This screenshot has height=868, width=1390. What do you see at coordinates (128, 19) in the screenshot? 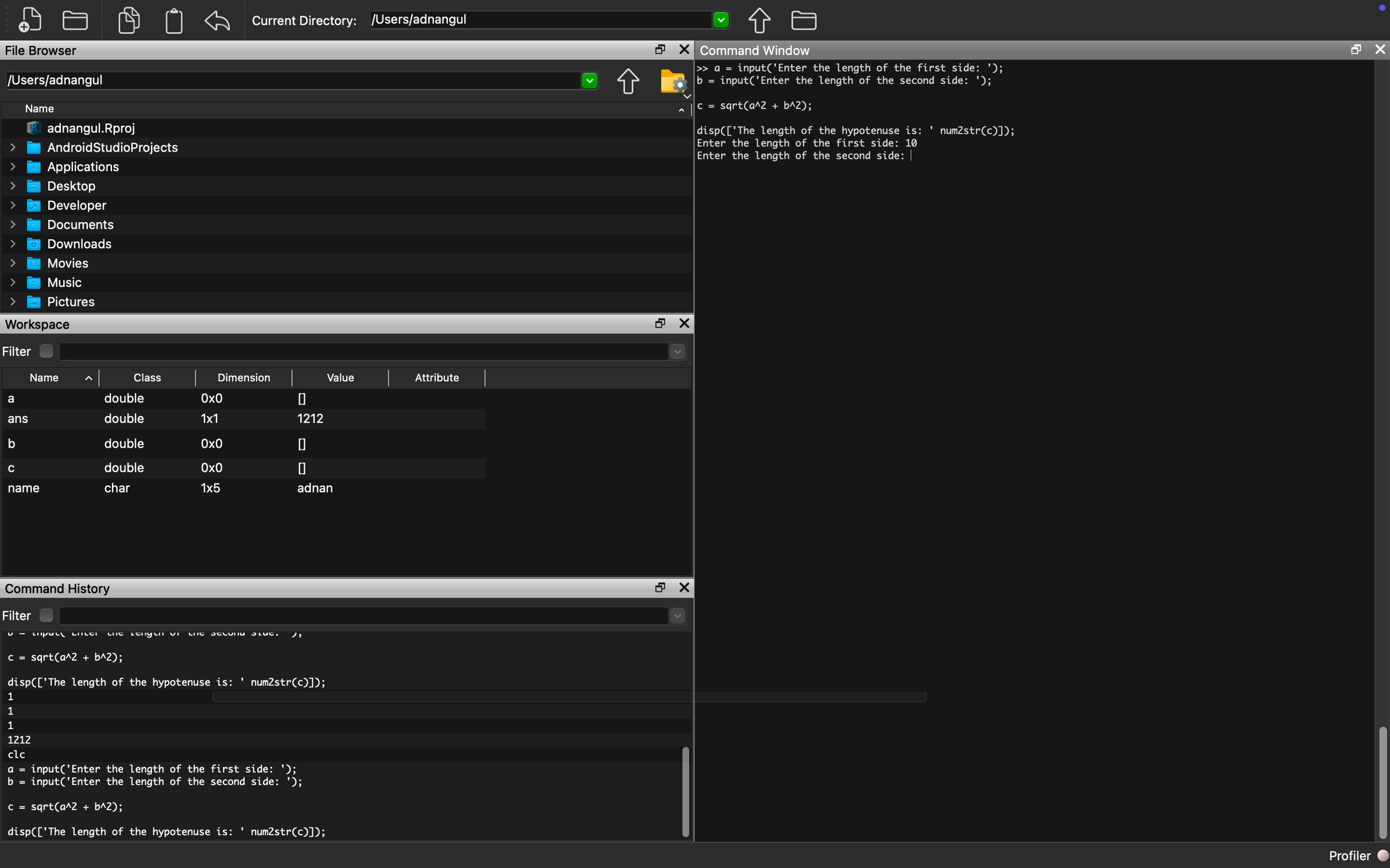
I see `documents` at bounding box center [128, 19].